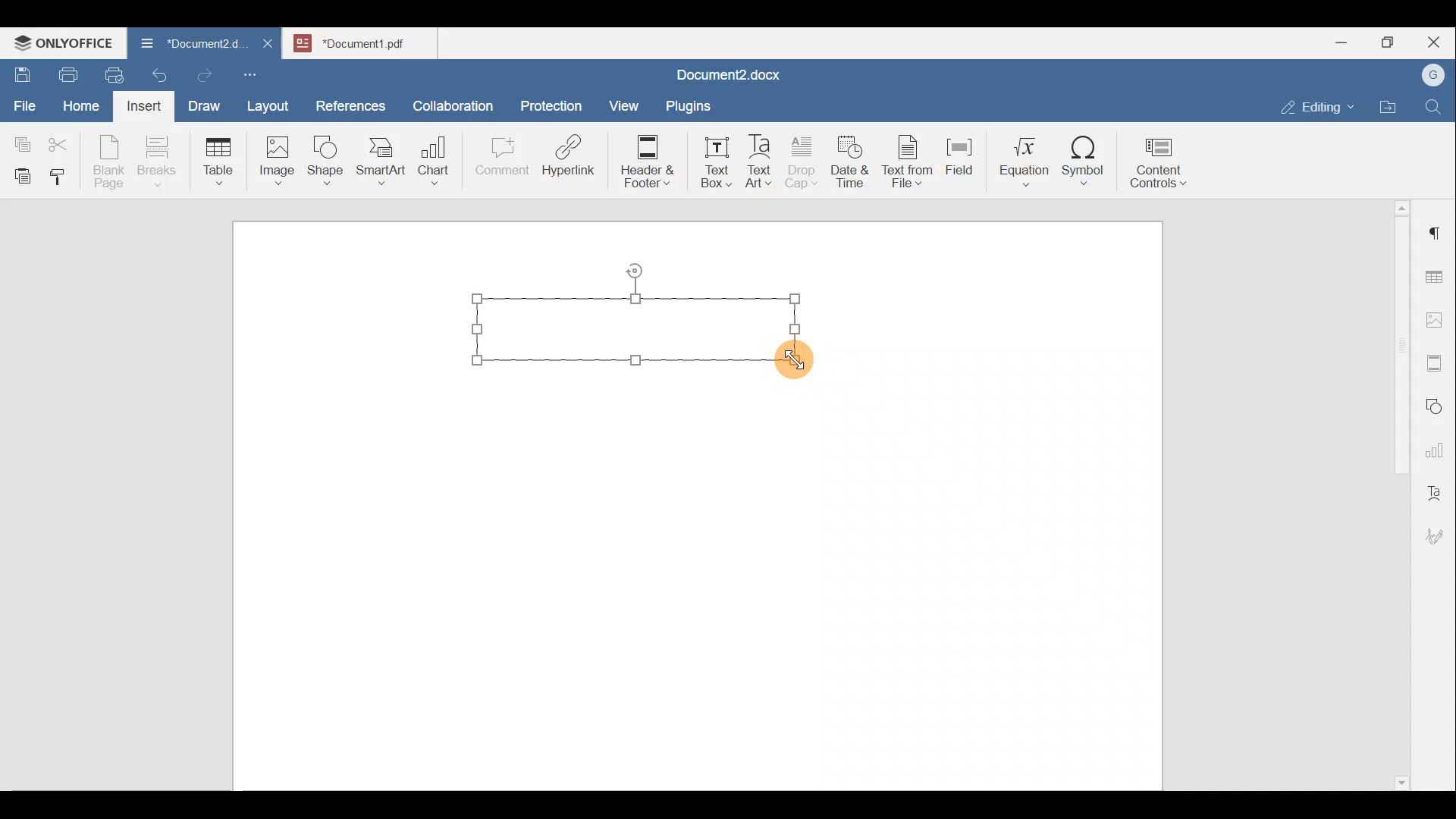 The height and width of the screenshot is (819, 1456). Describe the element at coordinates (1436, 487) in the screenshot. I see `Text Art settings` at that location.